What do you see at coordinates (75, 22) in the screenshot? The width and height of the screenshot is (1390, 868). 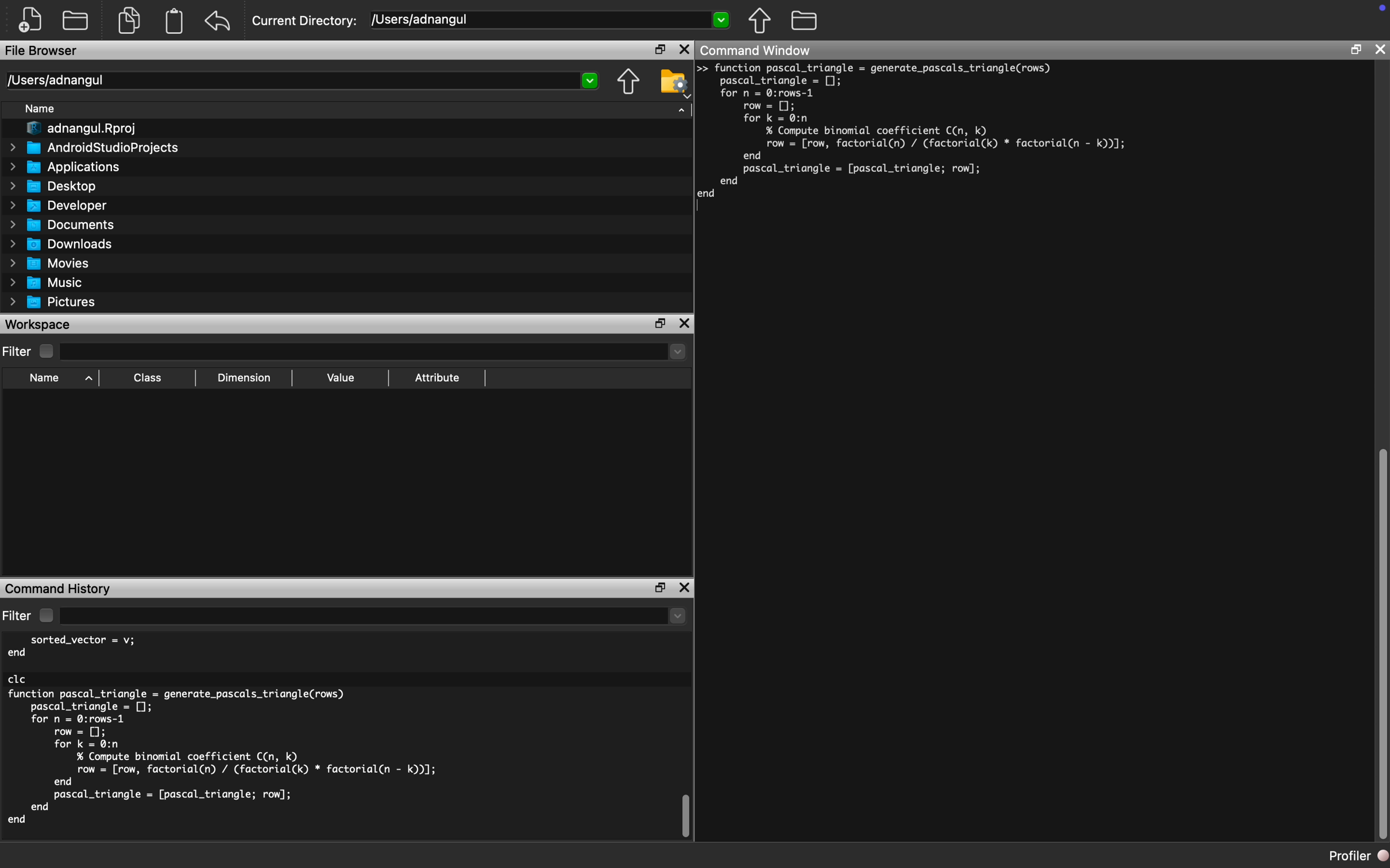 I see `Folder` at bounding box center [75, 22].